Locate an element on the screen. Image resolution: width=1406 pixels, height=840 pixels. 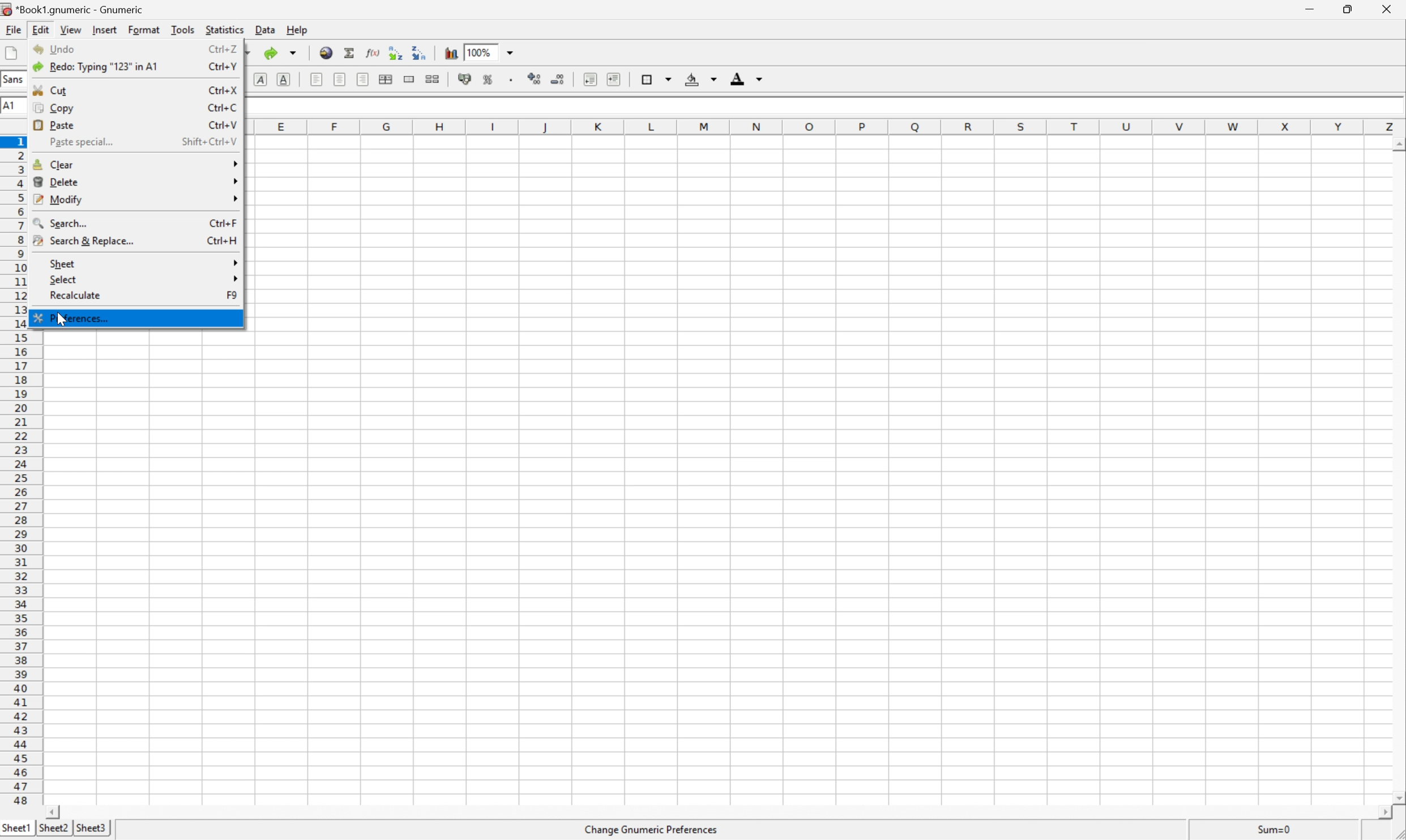
redo typing: "123" in A1     ctrl+y is located at coordinates (132, 67).